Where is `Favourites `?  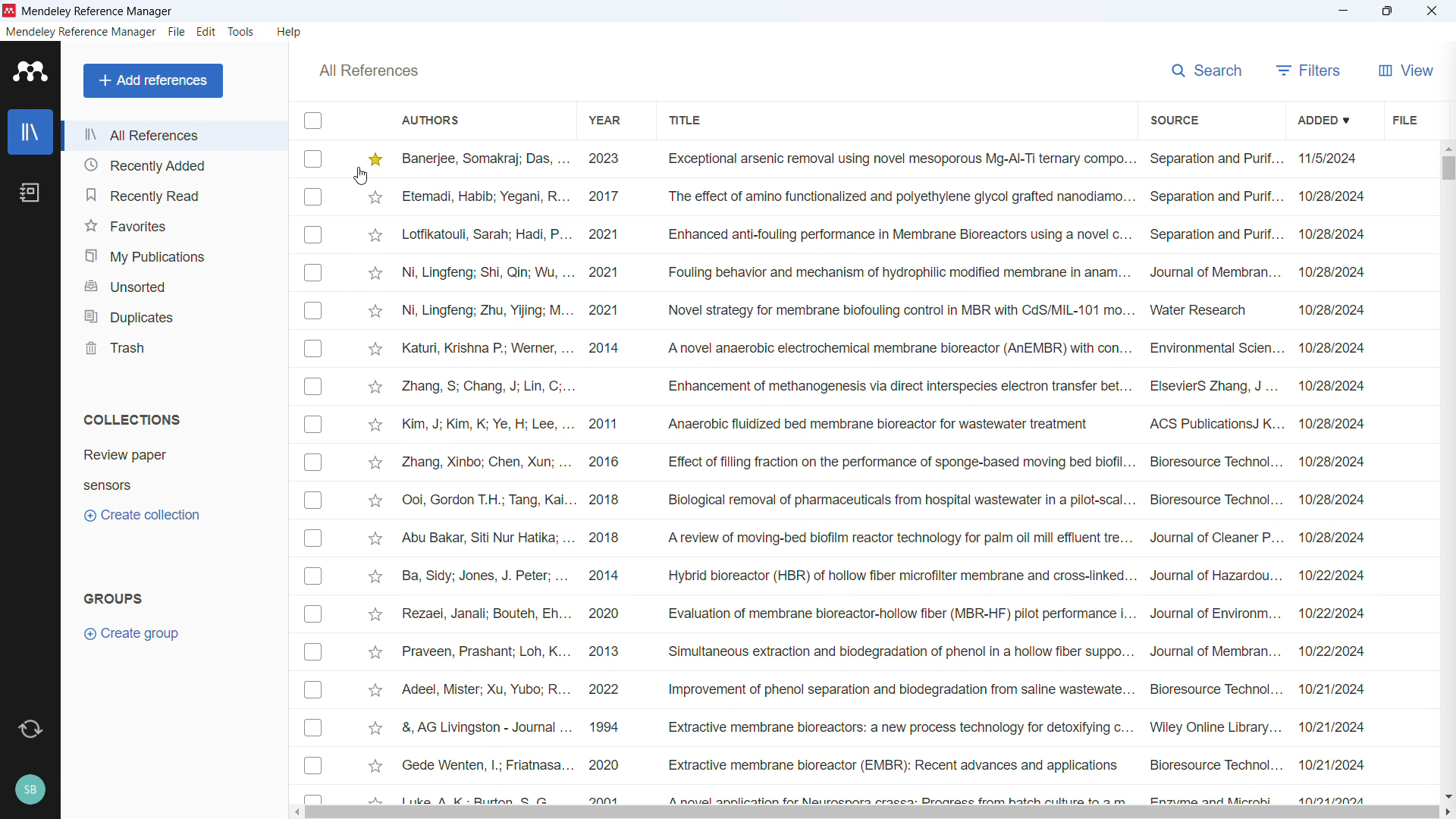
Favourites  is located at coordinates (174, 223).